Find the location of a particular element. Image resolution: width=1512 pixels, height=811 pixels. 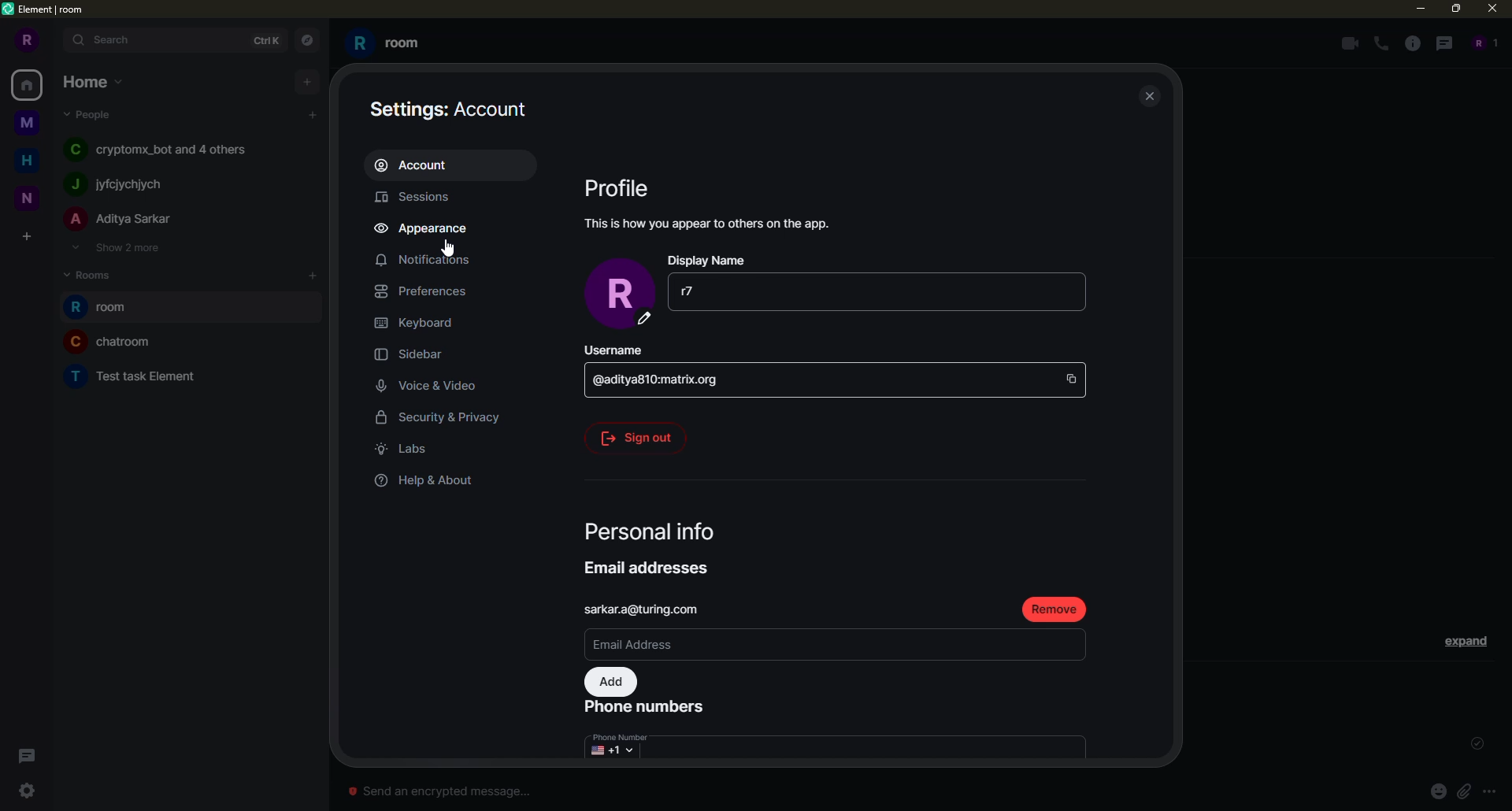

video call is located at coordinates (1347, 43).